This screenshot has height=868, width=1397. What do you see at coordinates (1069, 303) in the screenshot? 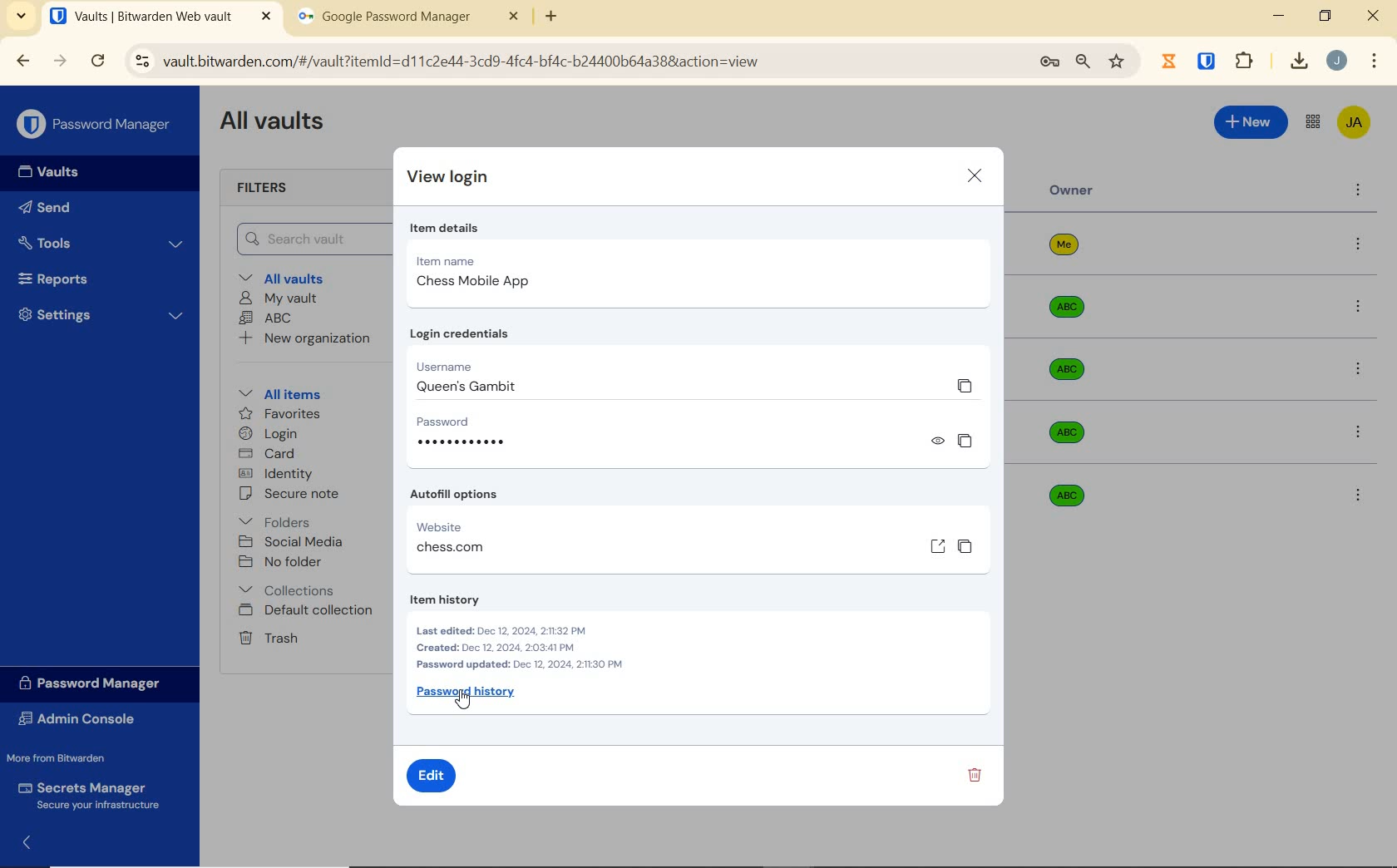
I see `abc` at bounding box center [1069, 303].